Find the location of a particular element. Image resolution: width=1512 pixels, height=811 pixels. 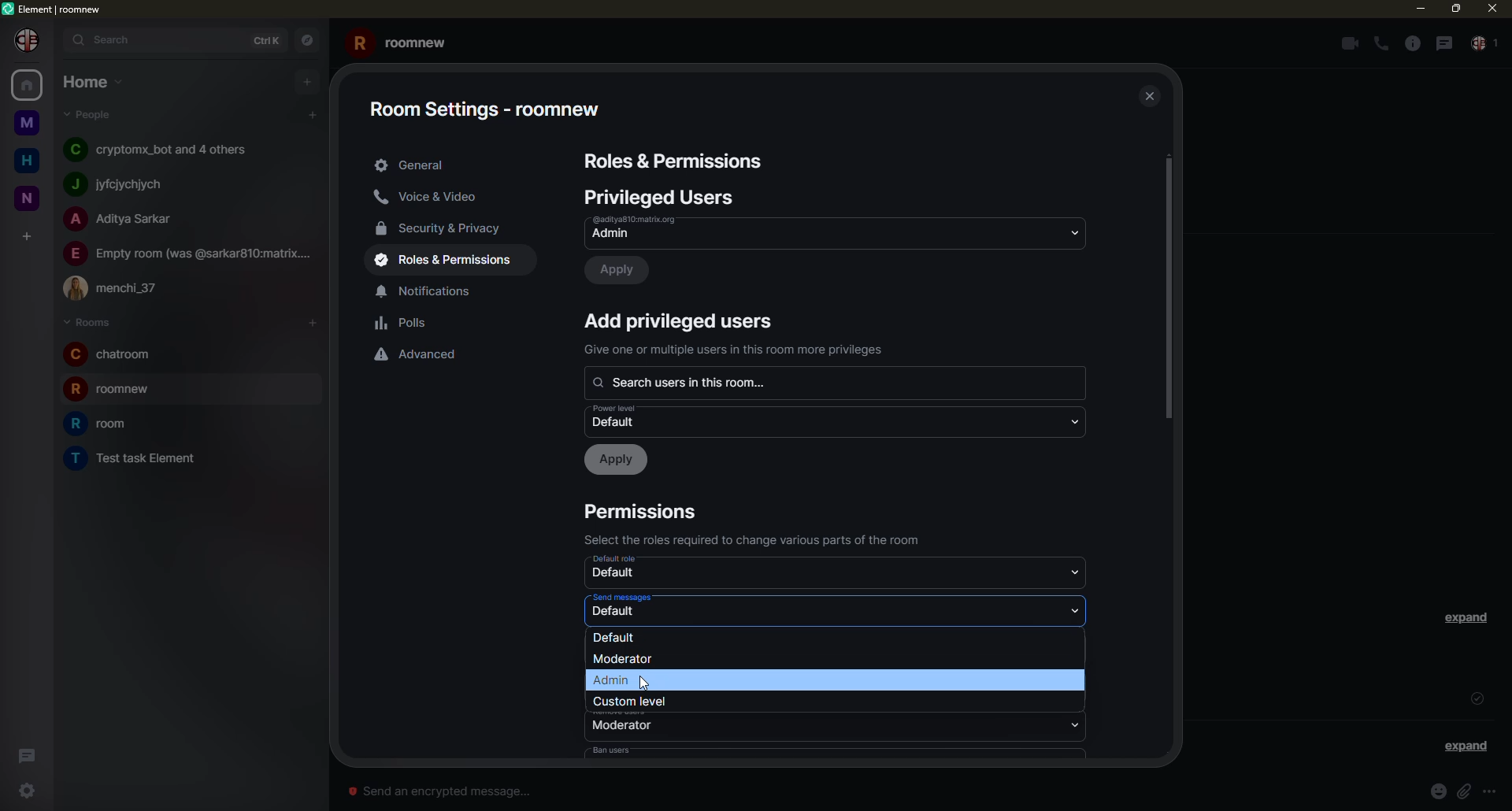

custom is located at coordinates (638, 701).